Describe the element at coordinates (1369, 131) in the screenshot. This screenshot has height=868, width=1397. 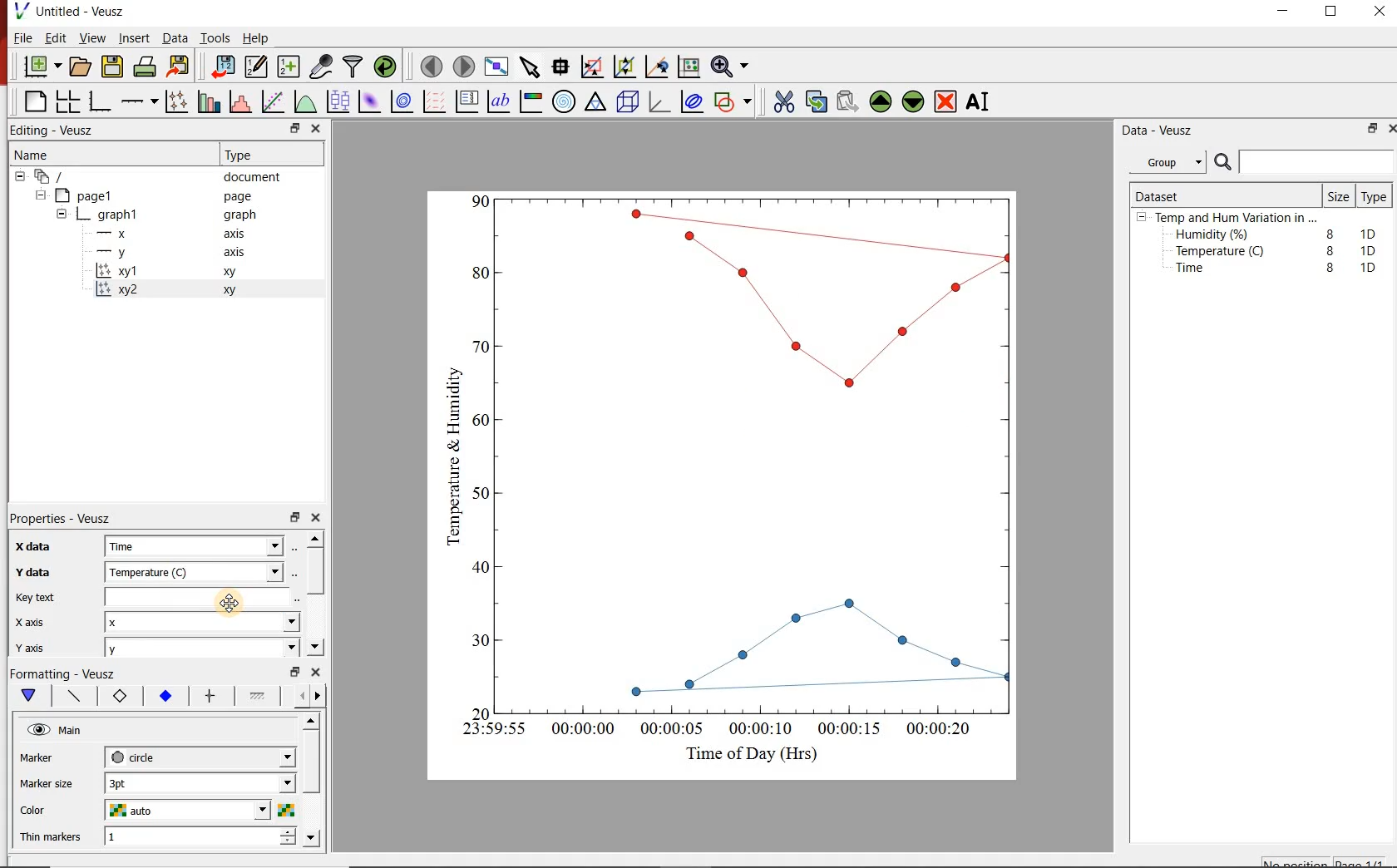
I see `restore down` at that location.